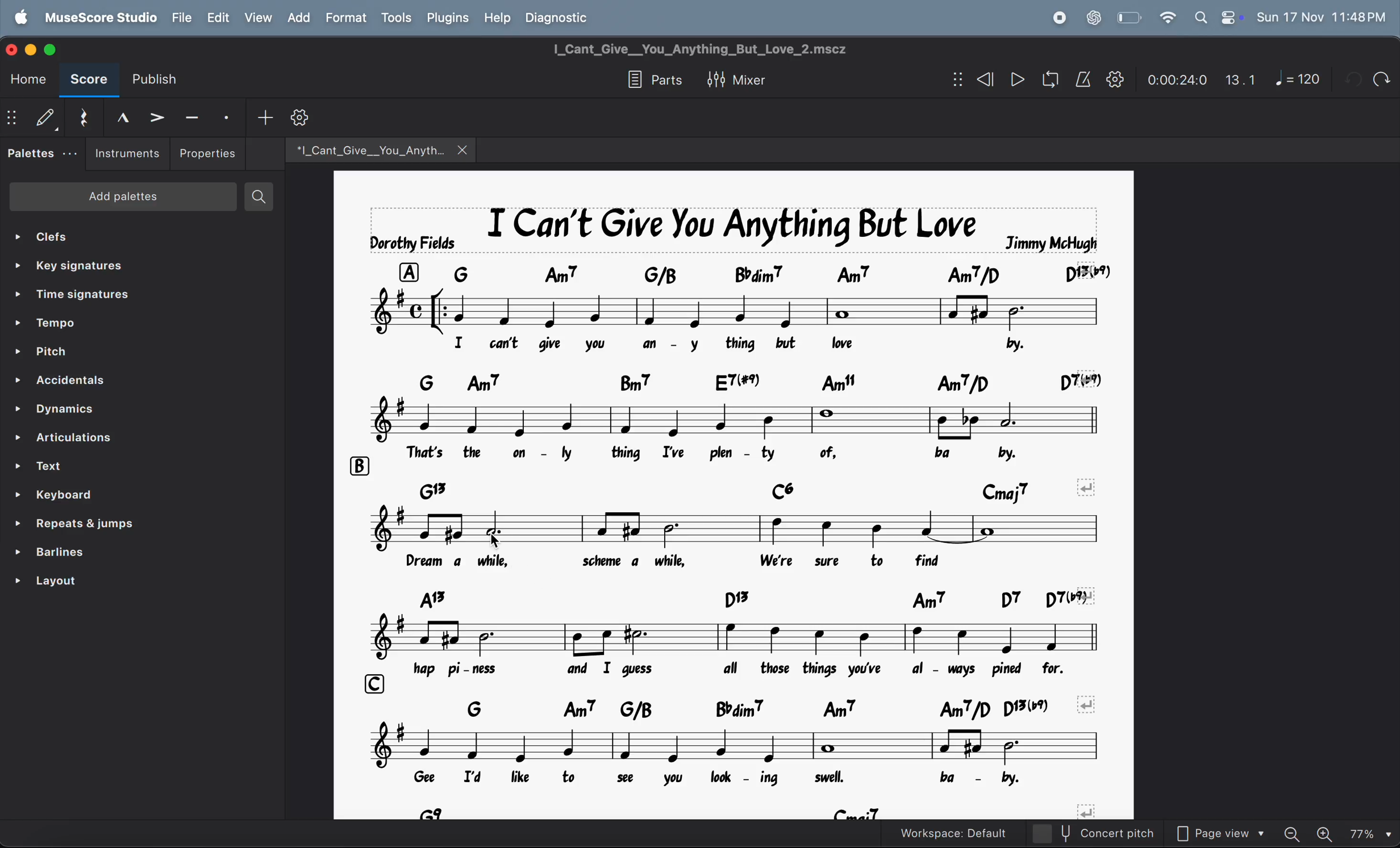  What do you see at coordinates (747, 272) in the screenshot?
I see `key note` at bounding box center [747, 272].